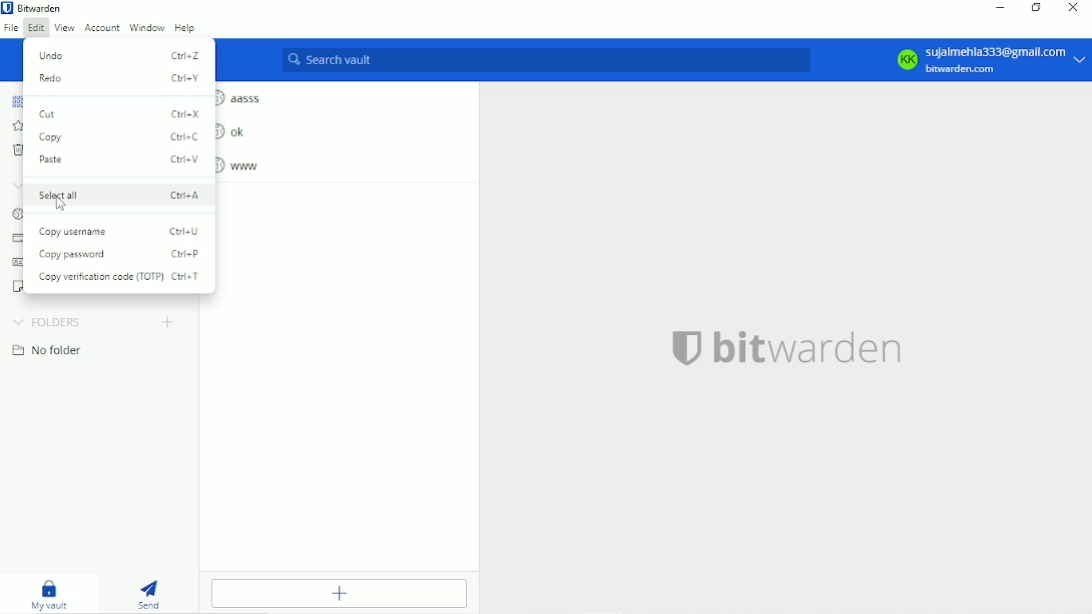 Image resolution: width=1092 pixels, height=614 pixels. What do you see at coordinates (121, 160) in the screenshot?
I see `Paste` at bounding box center [121, 160].